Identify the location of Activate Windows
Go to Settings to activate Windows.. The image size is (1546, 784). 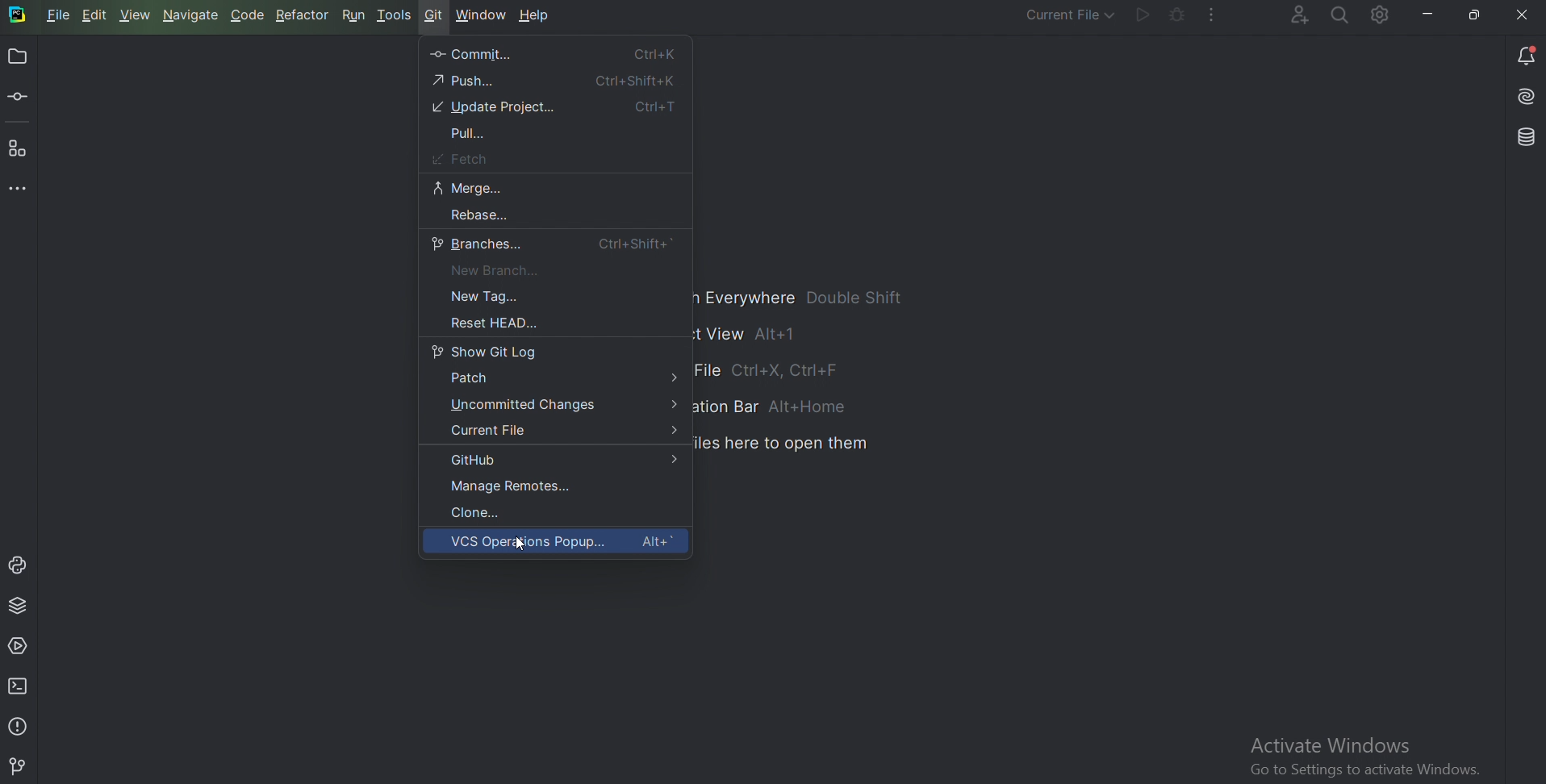
(1373, 757).